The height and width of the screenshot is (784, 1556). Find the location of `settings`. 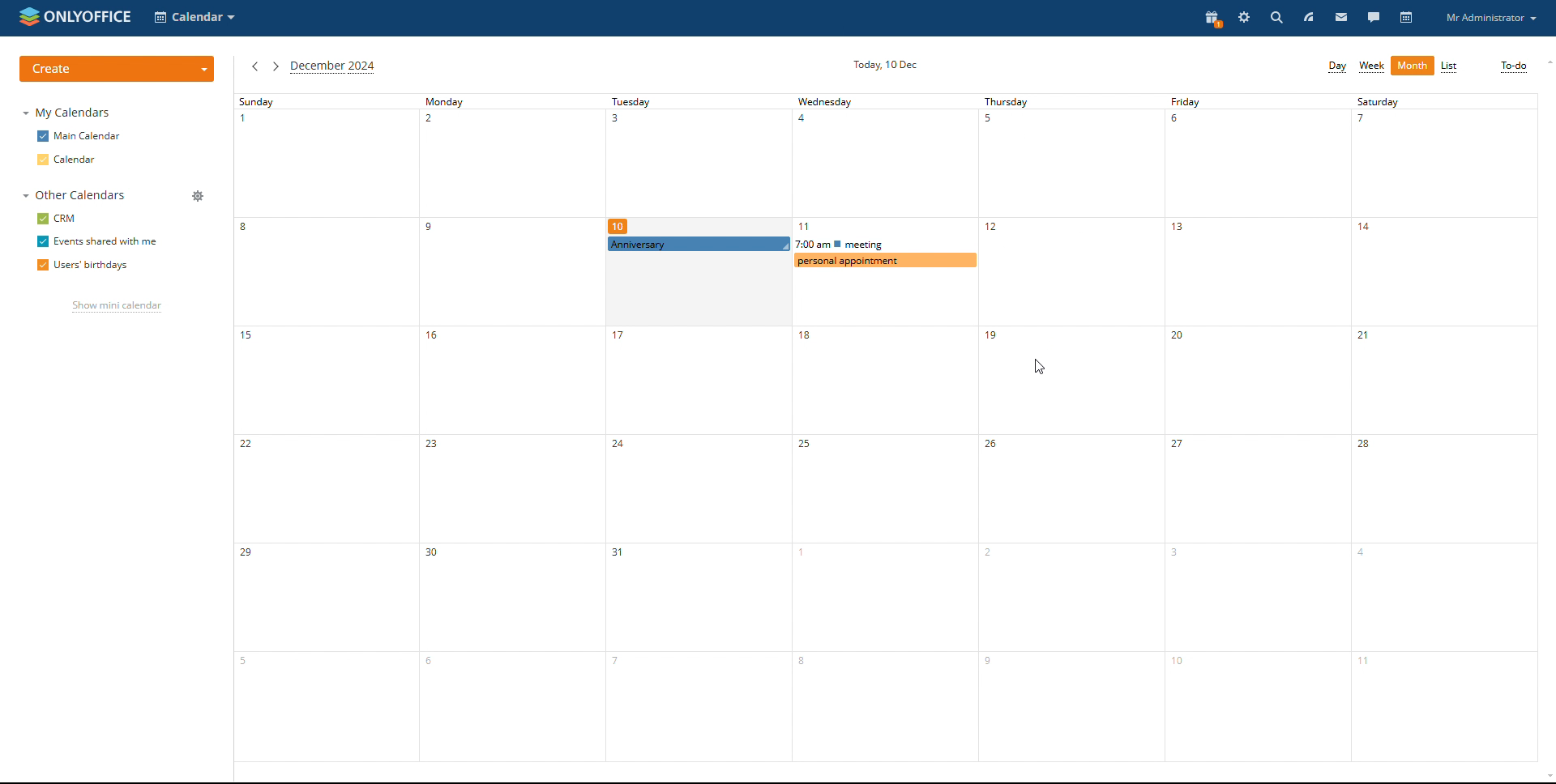

settings is located at coordinates (1243, 18).